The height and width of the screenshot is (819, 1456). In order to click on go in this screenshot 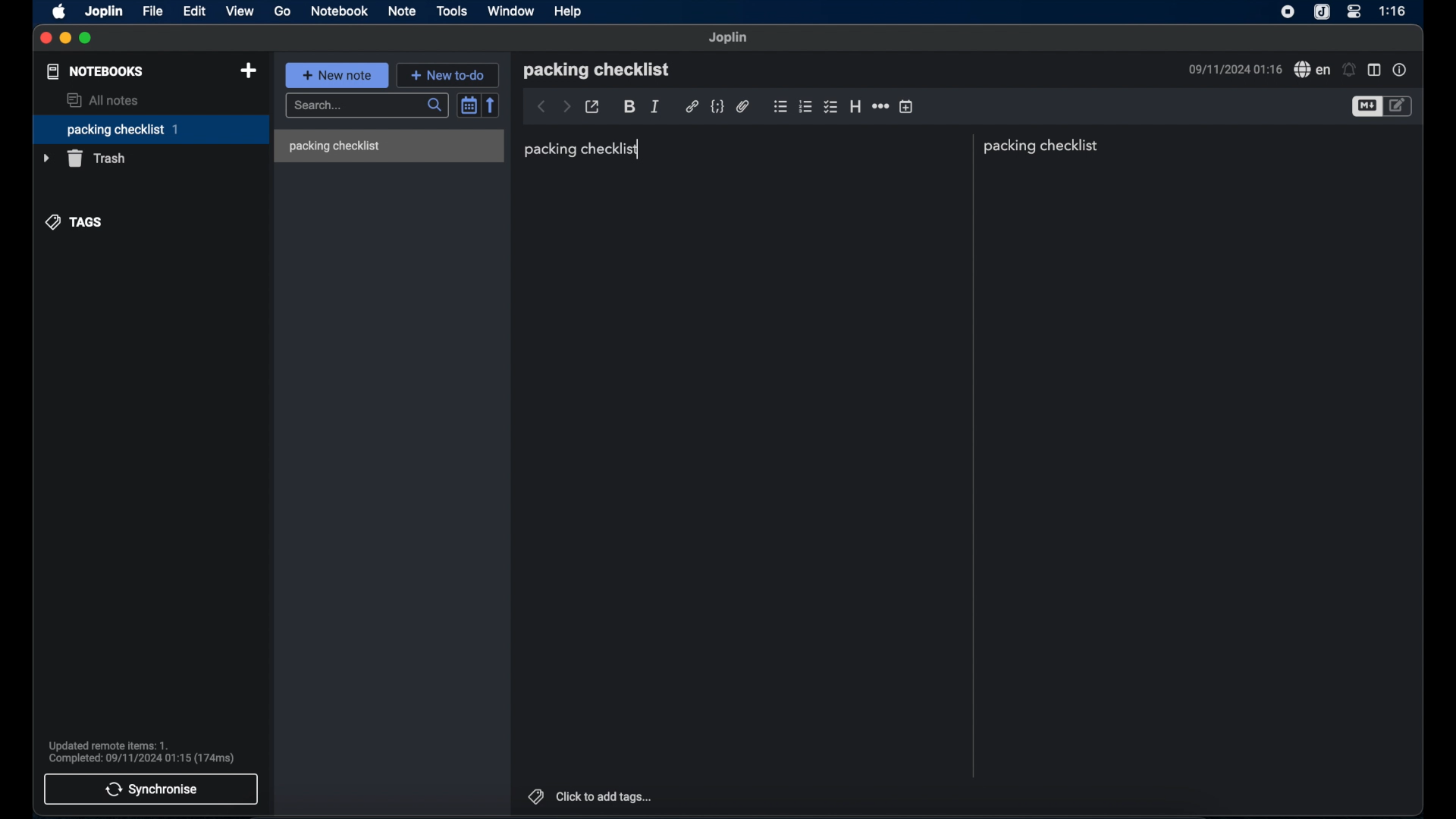, I will do `click(282, 11)`.